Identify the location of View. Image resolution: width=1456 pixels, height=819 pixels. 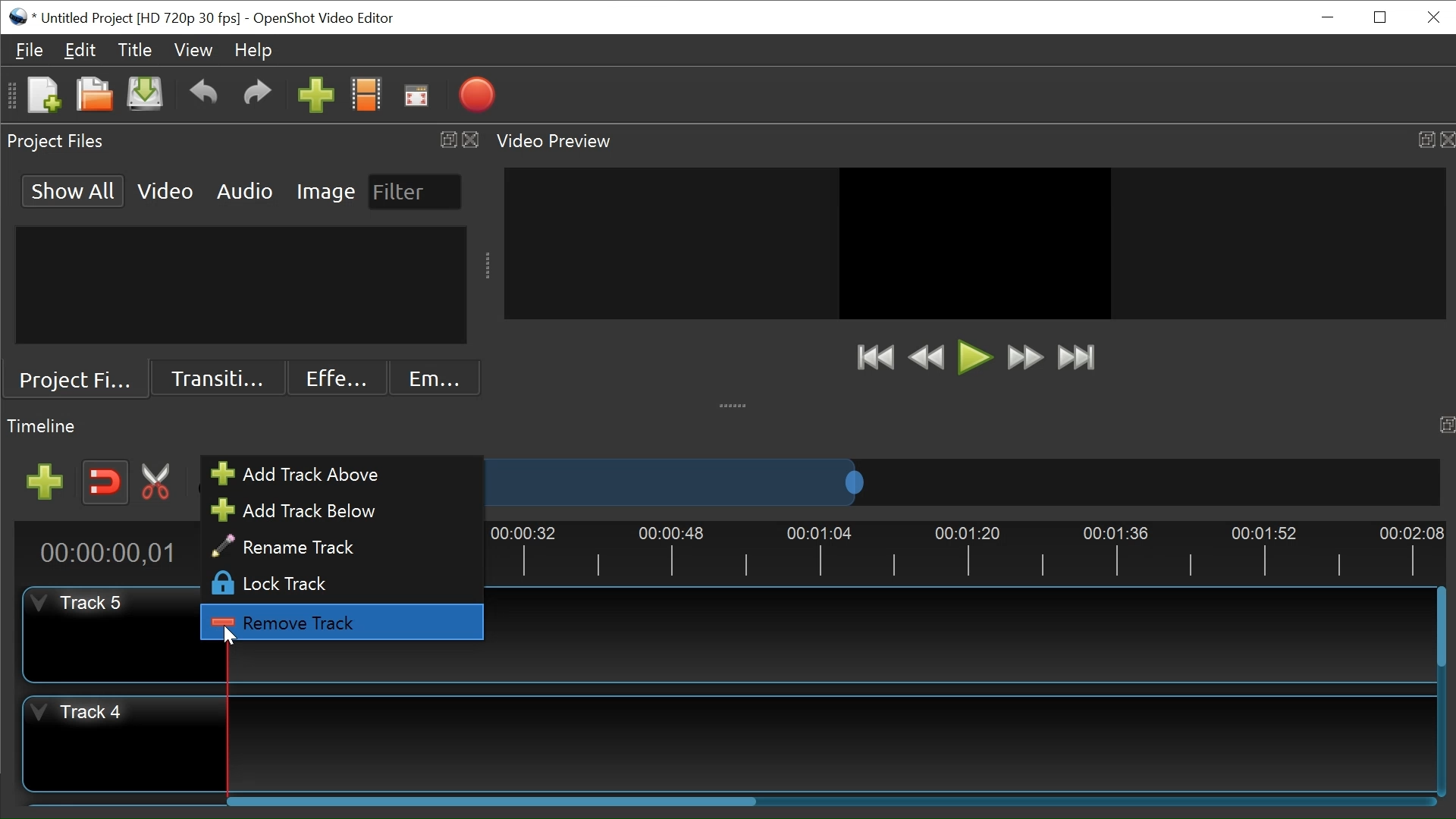
(193, 51).